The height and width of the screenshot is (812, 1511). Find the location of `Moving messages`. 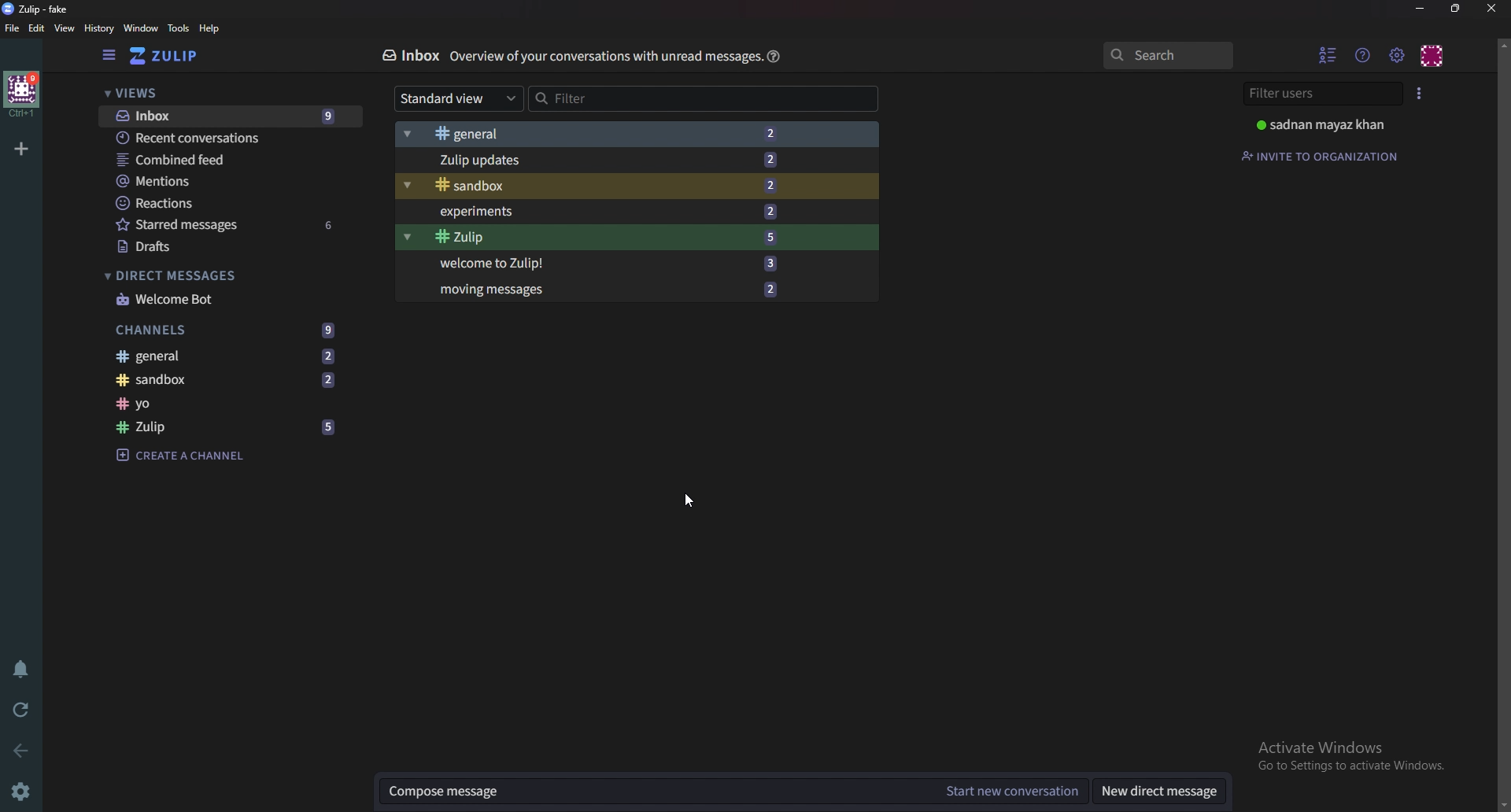

Moving messages is located at coordinates (630, 290).